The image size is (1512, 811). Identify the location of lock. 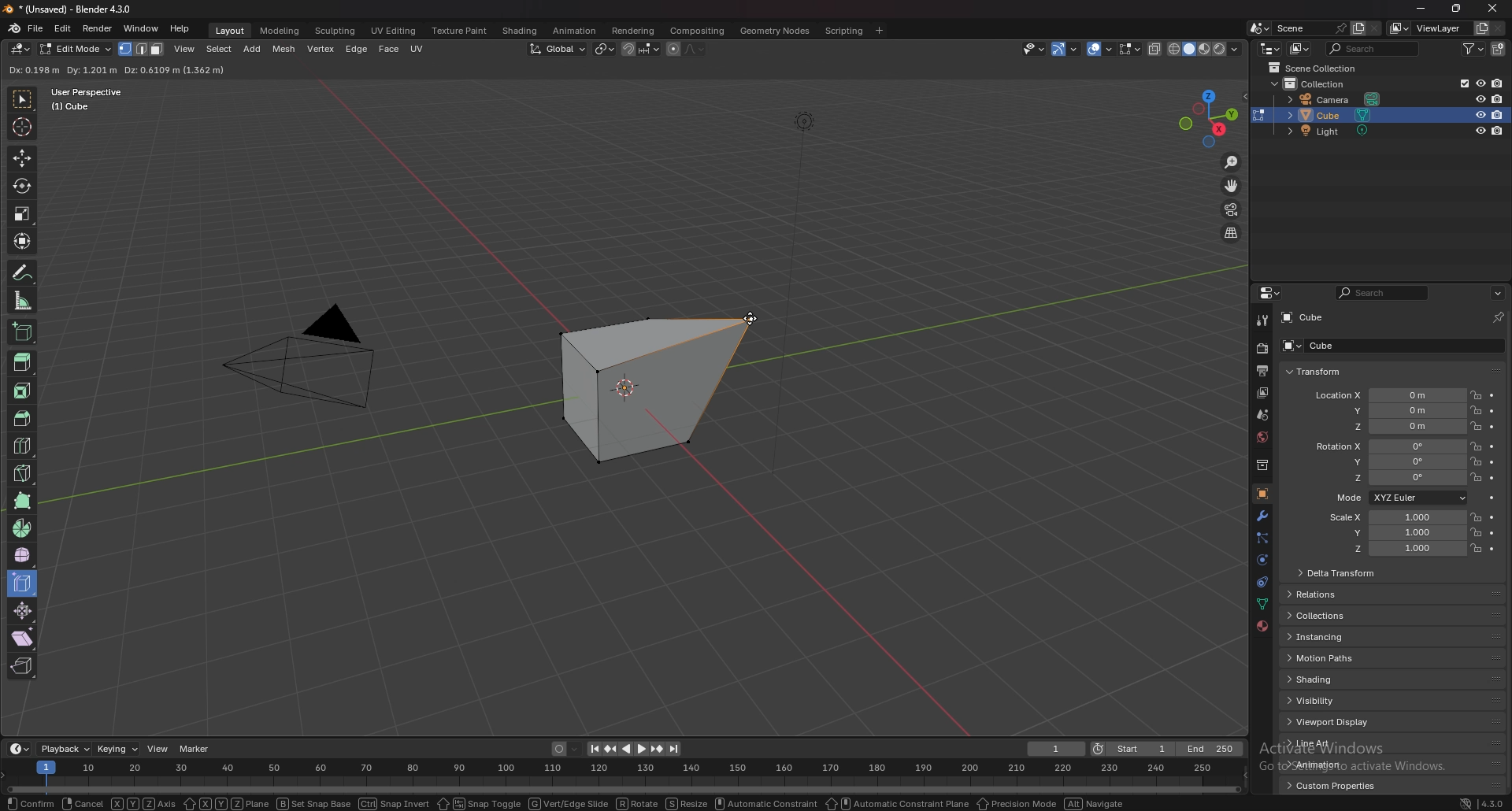
(1475, 477).